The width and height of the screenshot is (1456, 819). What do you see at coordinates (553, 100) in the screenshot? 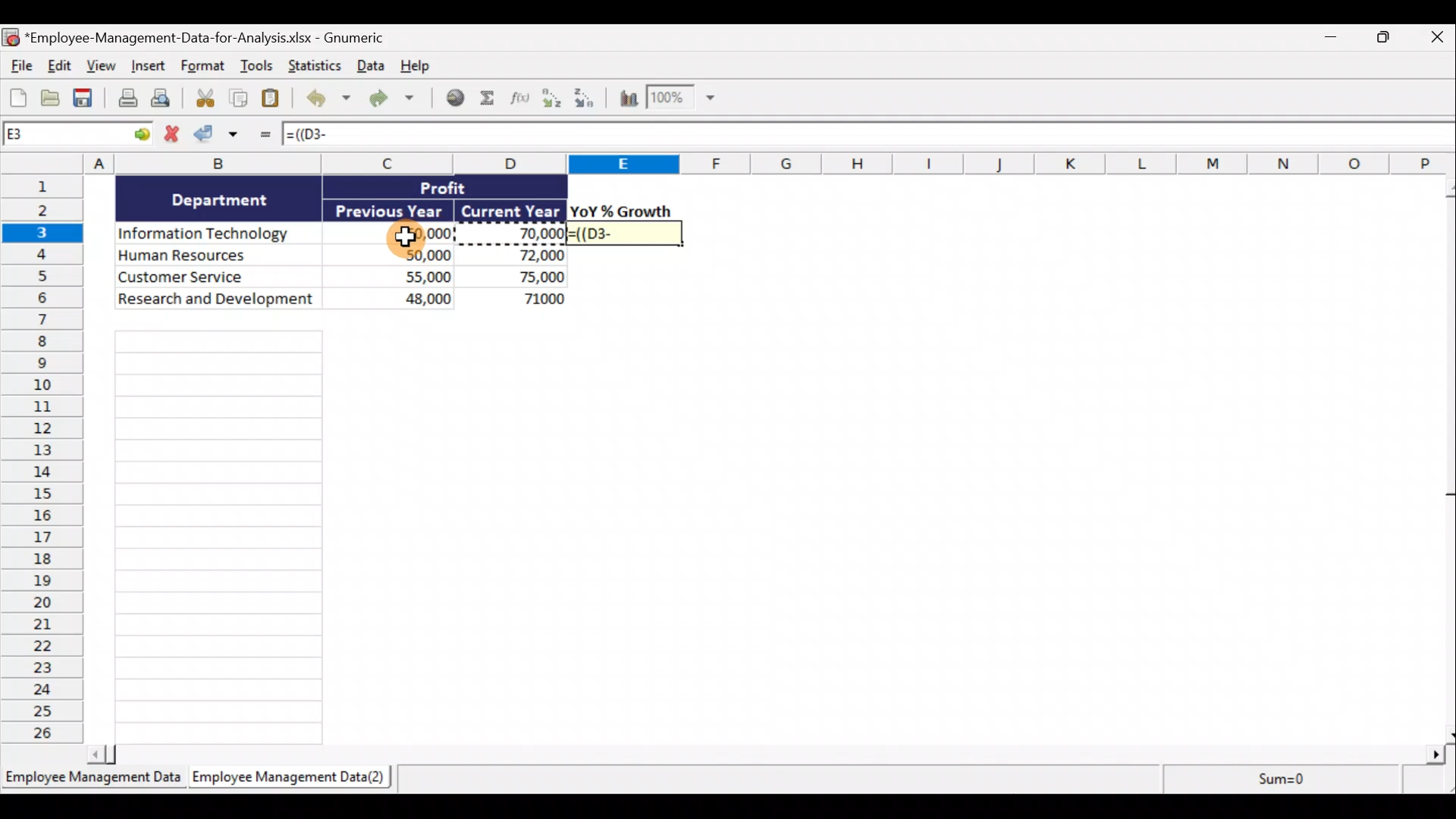
I see `Sort Ascending` at bounding box center [553, 100].